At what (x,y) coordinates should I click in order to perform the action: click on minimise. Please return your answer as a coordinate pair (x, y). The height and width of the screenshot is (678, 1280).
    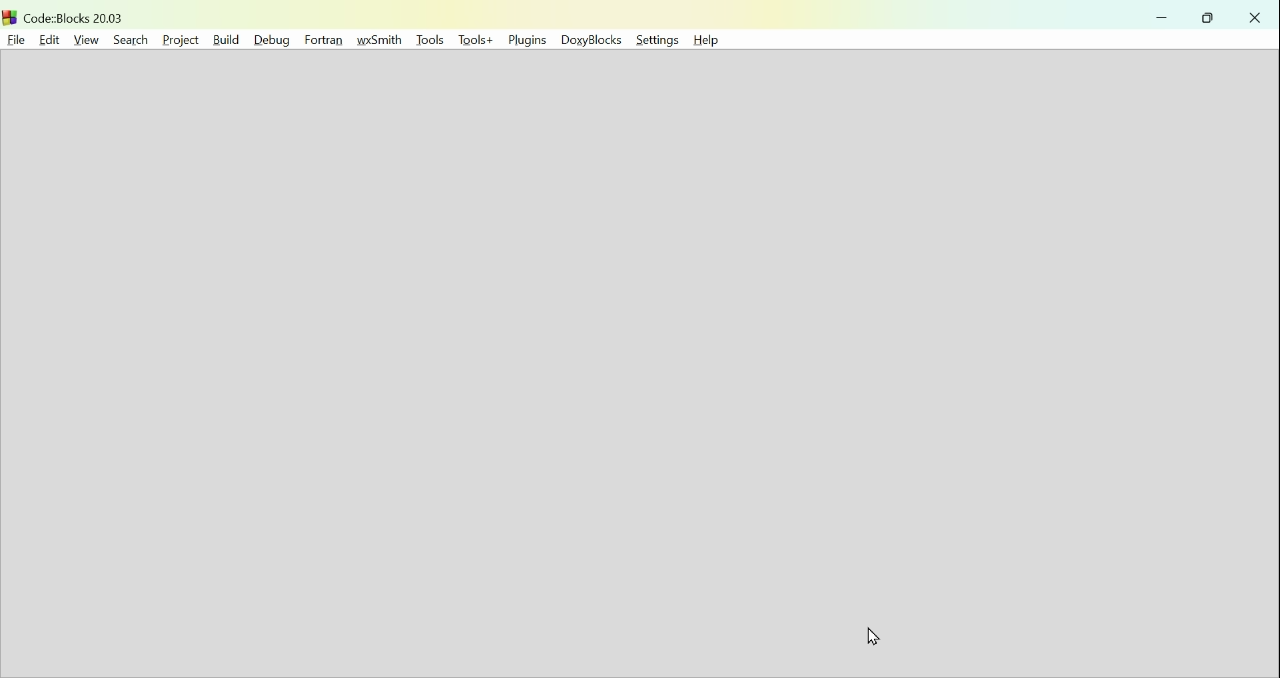
    Looking at the image, I should click on (1162, 17).